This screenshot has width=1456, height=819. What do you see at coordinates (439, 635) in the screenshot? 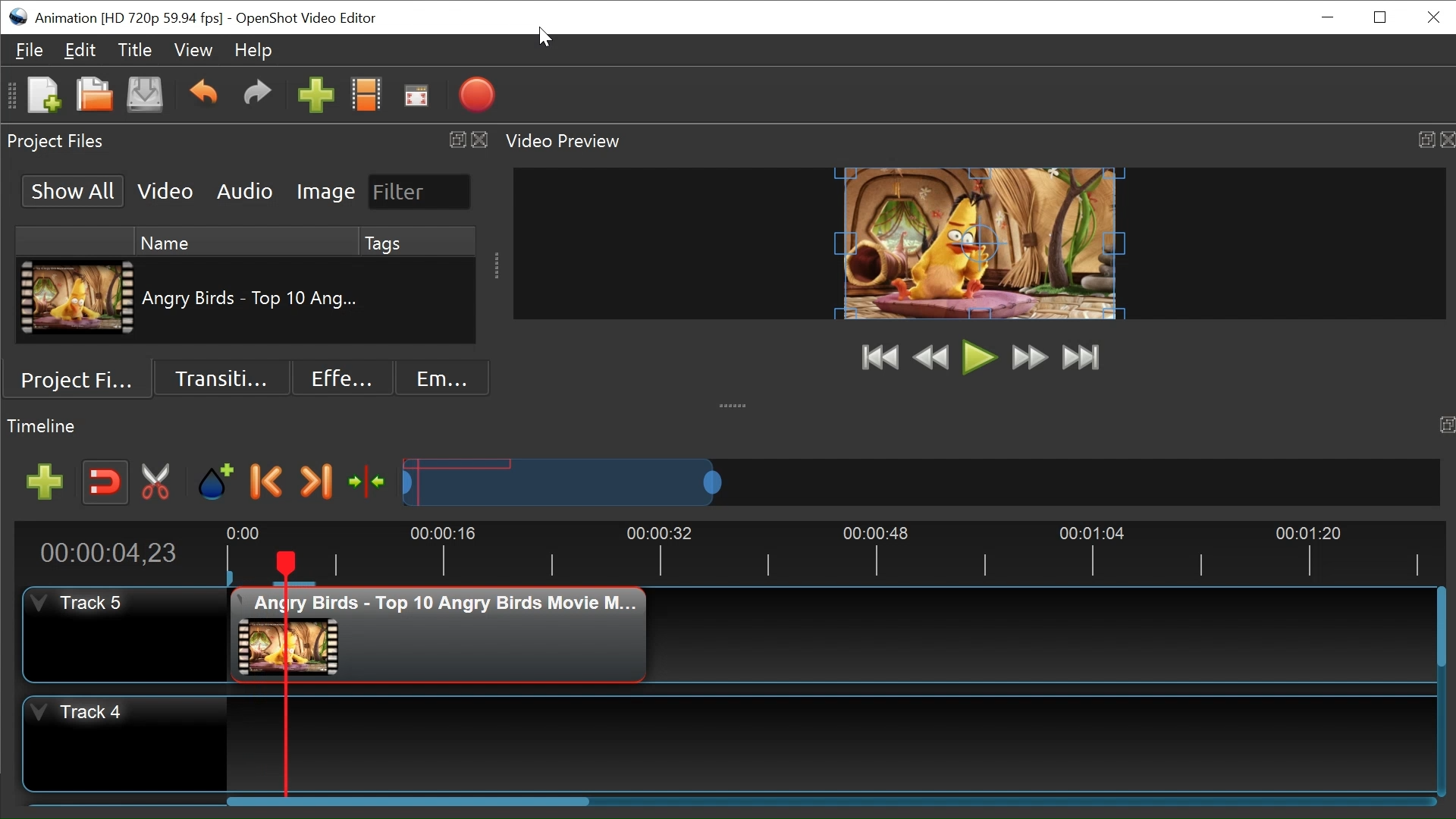
I see `Clip at the track` at bounding box center [439, 635].